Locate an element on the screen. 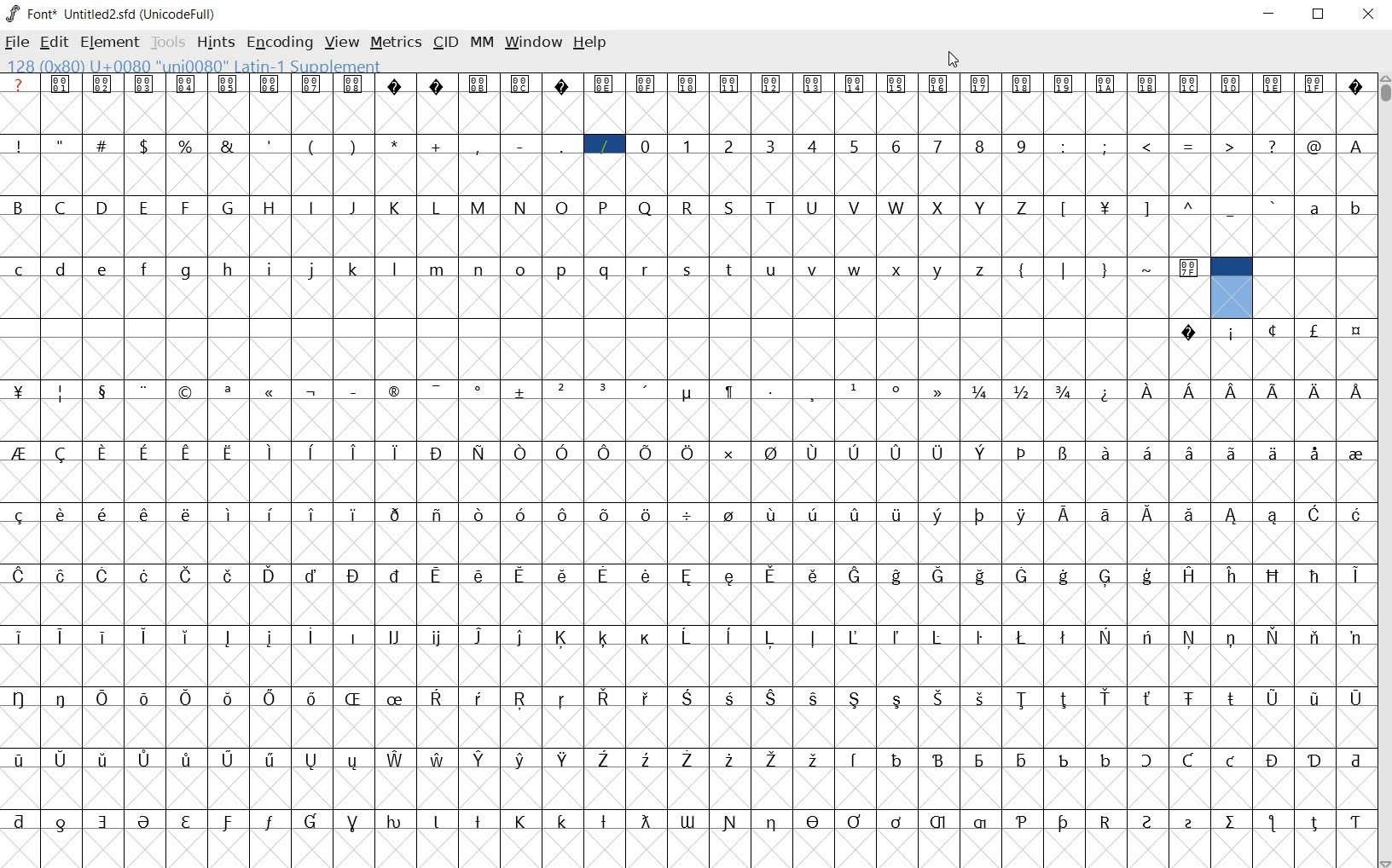 The image size is (1392, 868). Symbol is located at coordinates (482, 819).